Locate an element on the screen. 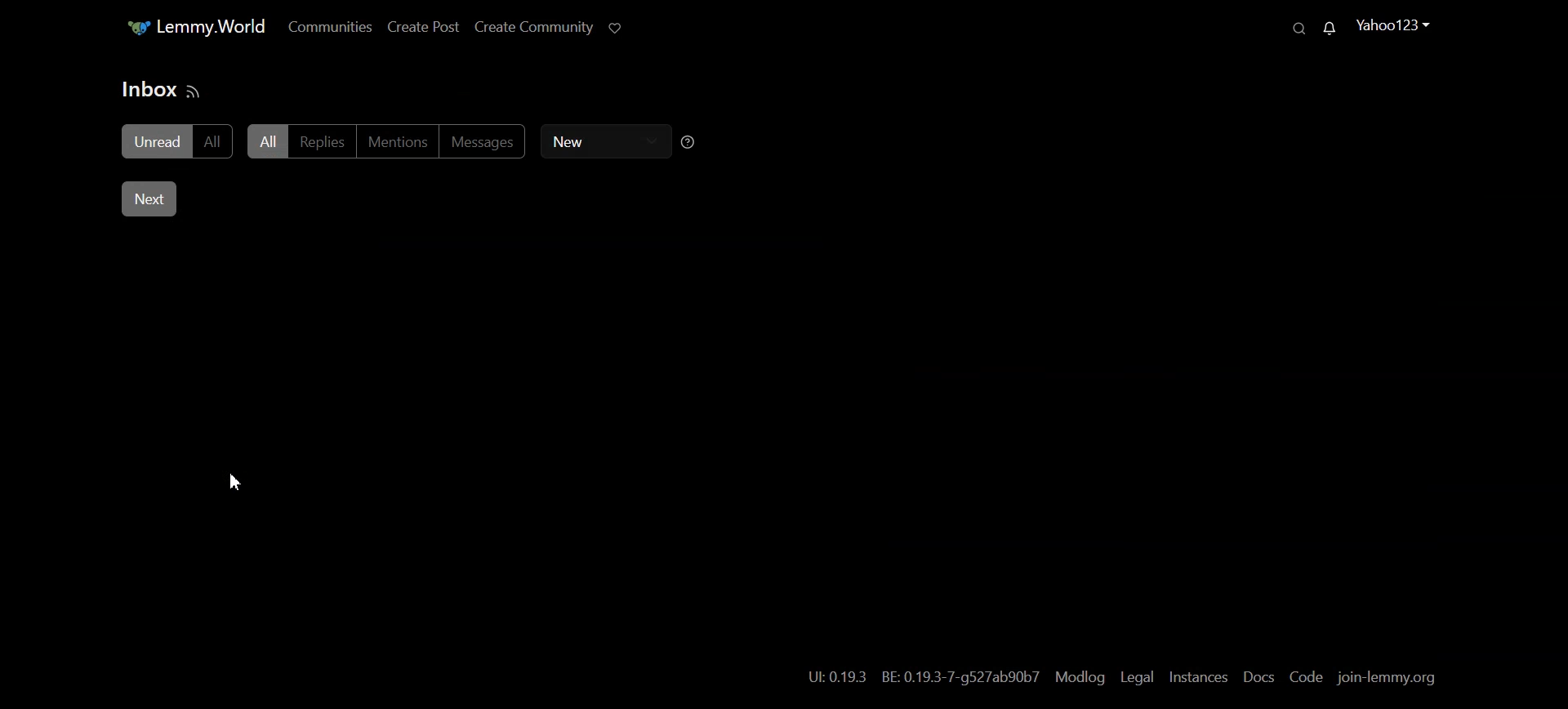 The height and width of the screenshot is (709, 1568). Create Post is located at coordinates (415, 28).